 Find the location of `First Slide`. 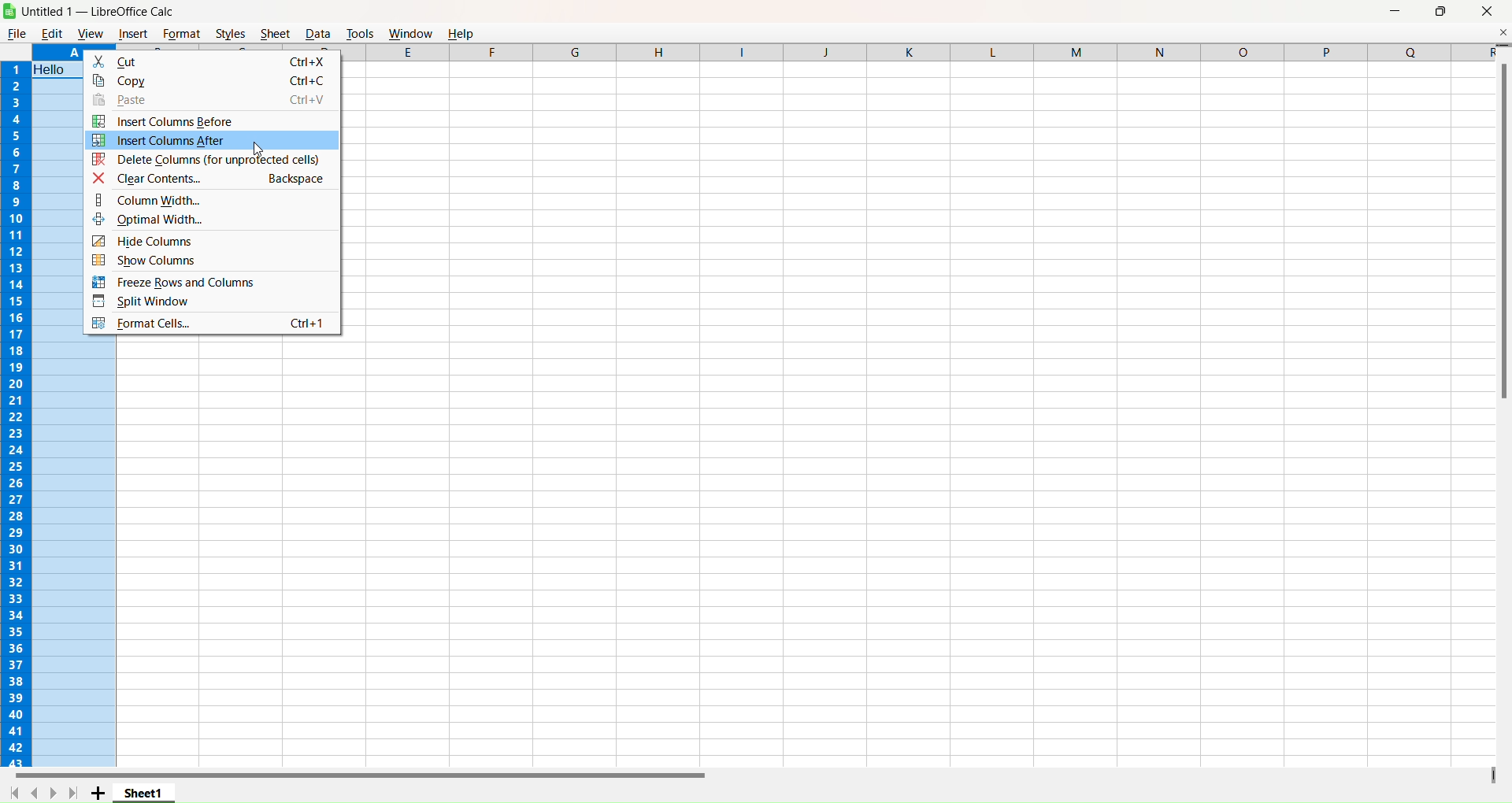

First Slide is located at coordinates (15, 792).